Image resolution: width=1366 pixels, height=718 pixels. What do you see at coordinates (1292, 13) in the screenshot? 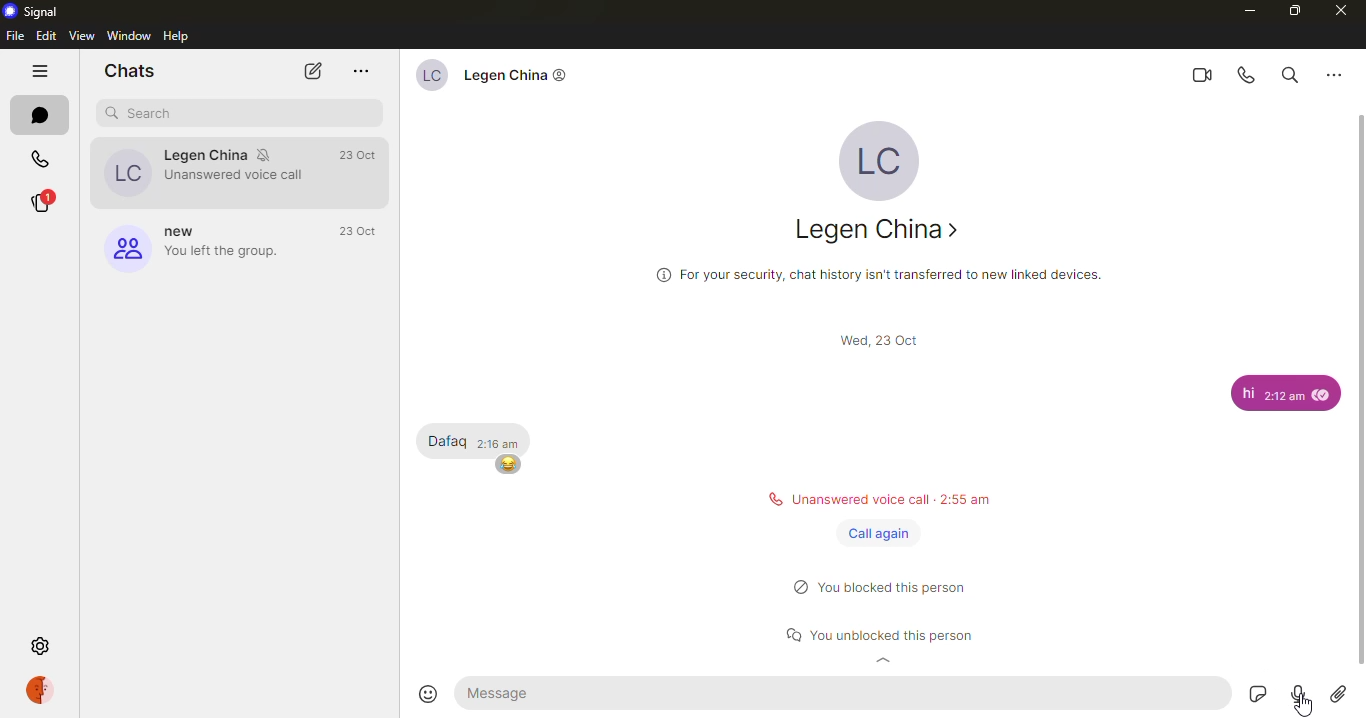
I see `maximize` at bounding box center [1292, 13].